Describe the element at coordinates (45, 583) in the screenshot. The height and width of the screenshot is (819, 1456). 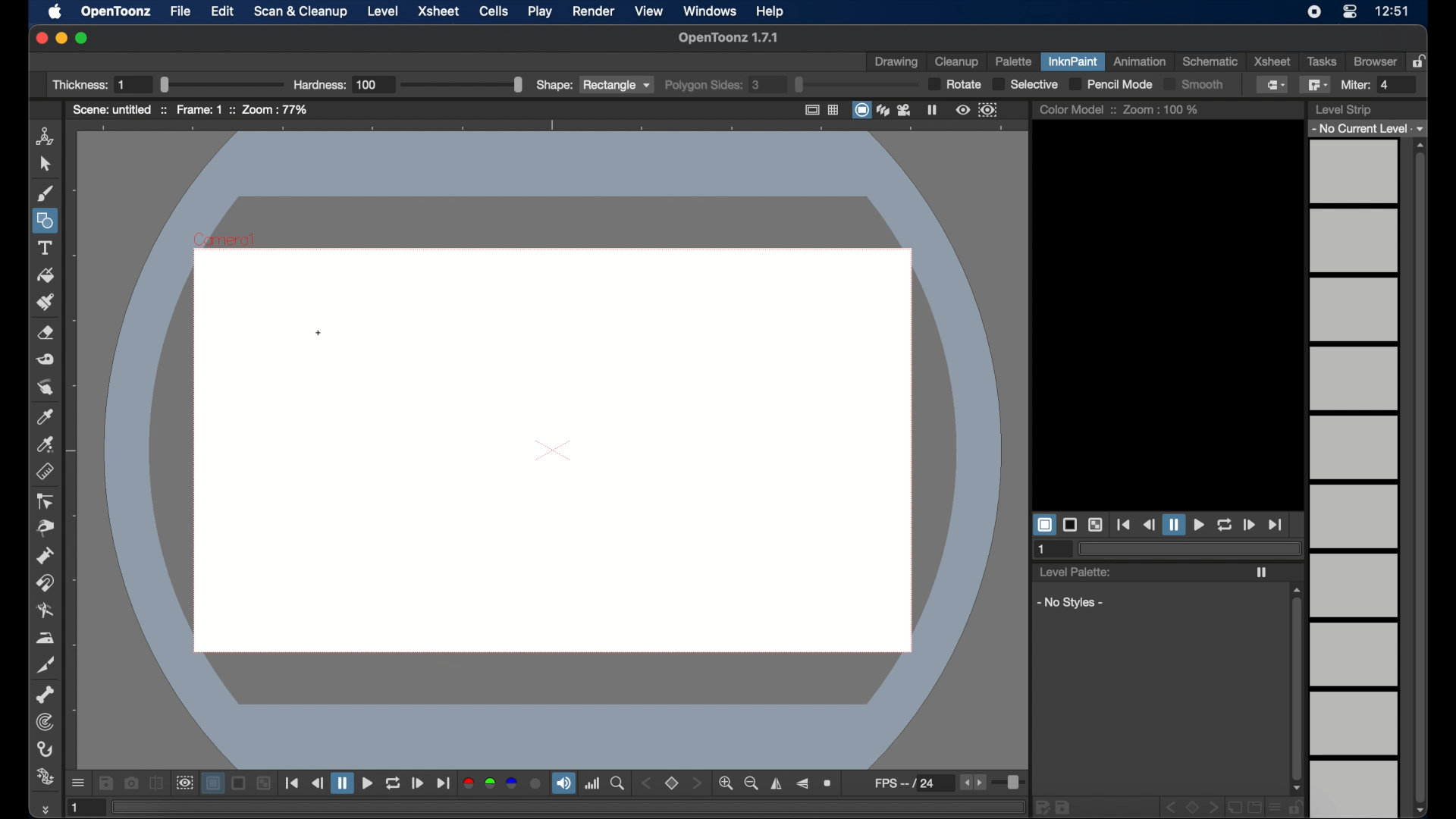
I see `magnet tool` at that location.